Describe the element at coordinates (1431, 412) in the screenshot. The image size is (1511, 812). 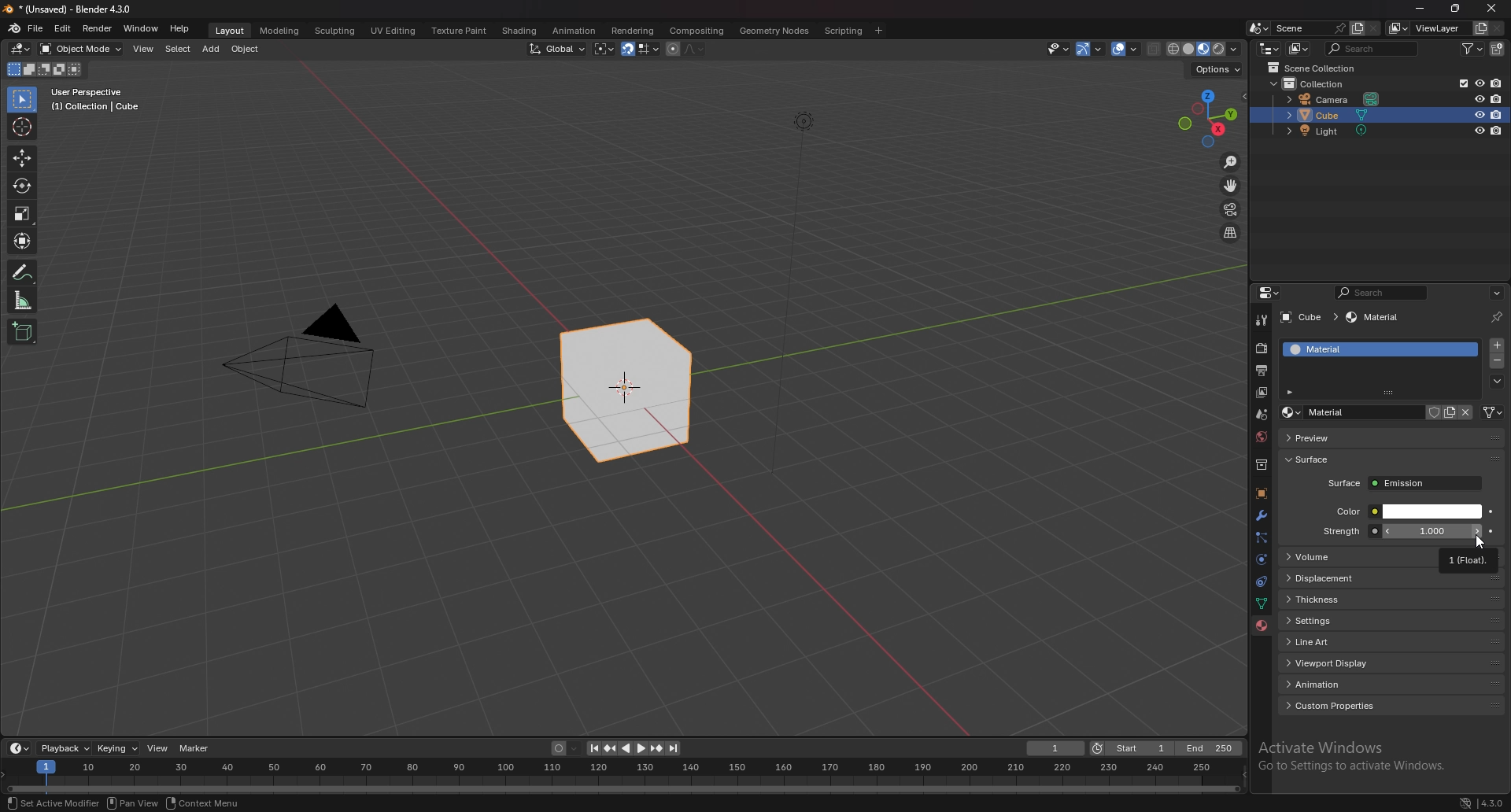
I see `fake user` at that location.